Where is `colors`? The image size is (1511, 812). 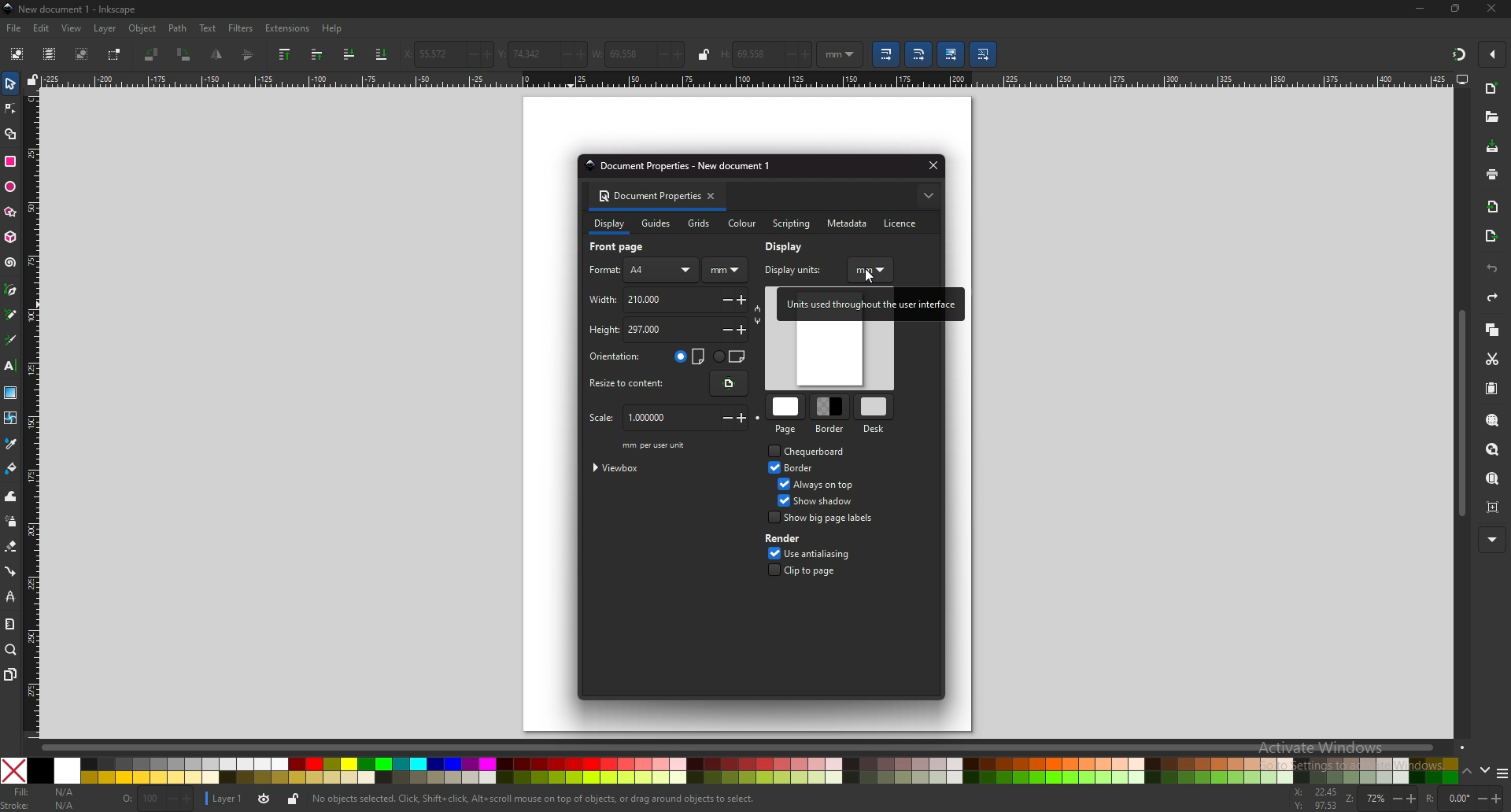
colors is located at coordinates (744, 771).